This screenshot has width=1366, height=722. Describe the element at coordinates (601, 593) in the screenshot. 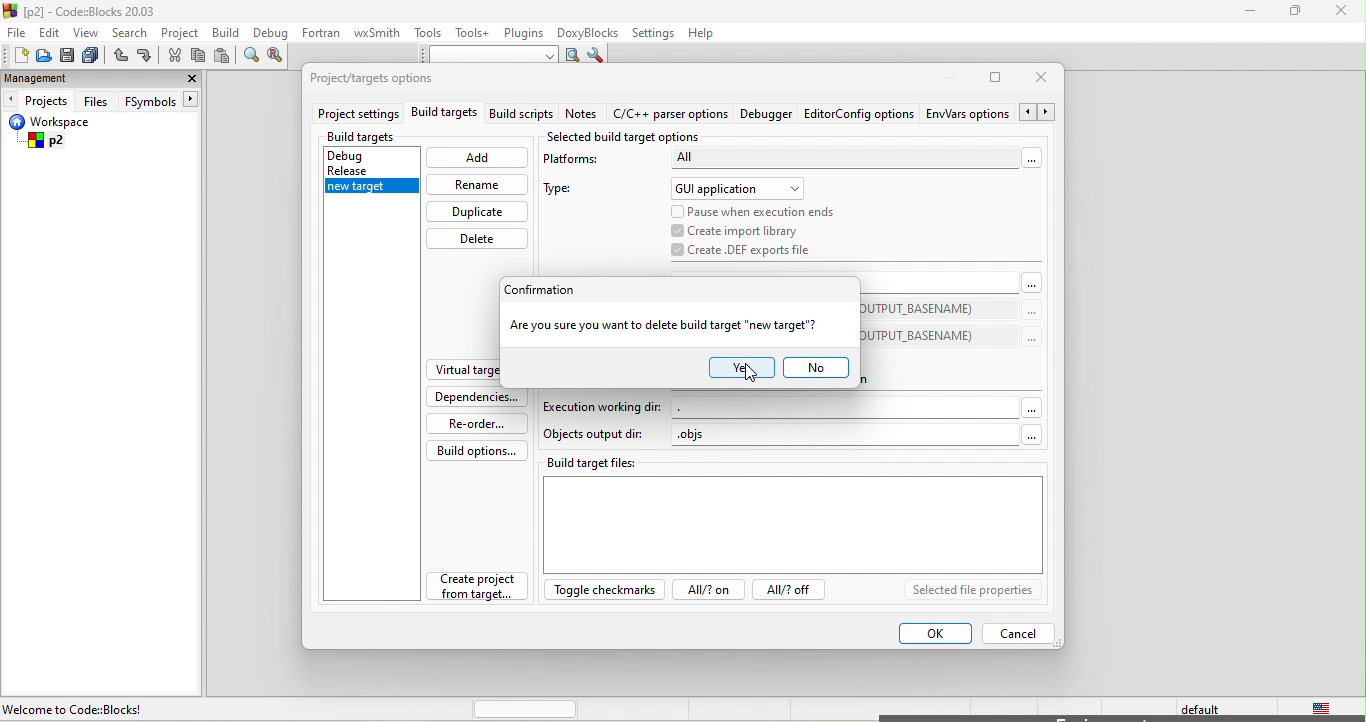

I see `toggle checkmarks` at that location.